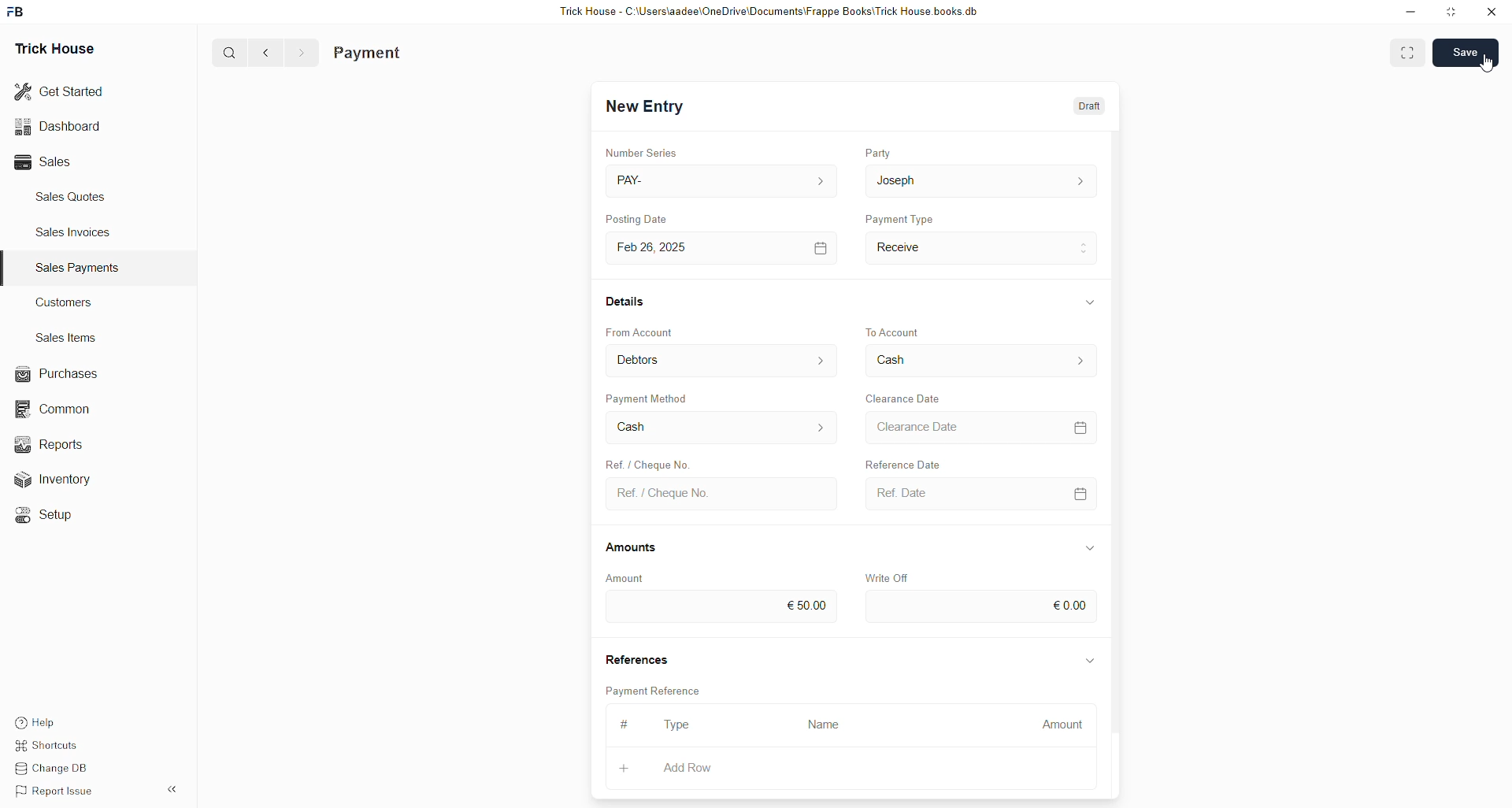  Describe the element at coordinates (1091, 105) in the screenshot. I see `Draft` at that location.